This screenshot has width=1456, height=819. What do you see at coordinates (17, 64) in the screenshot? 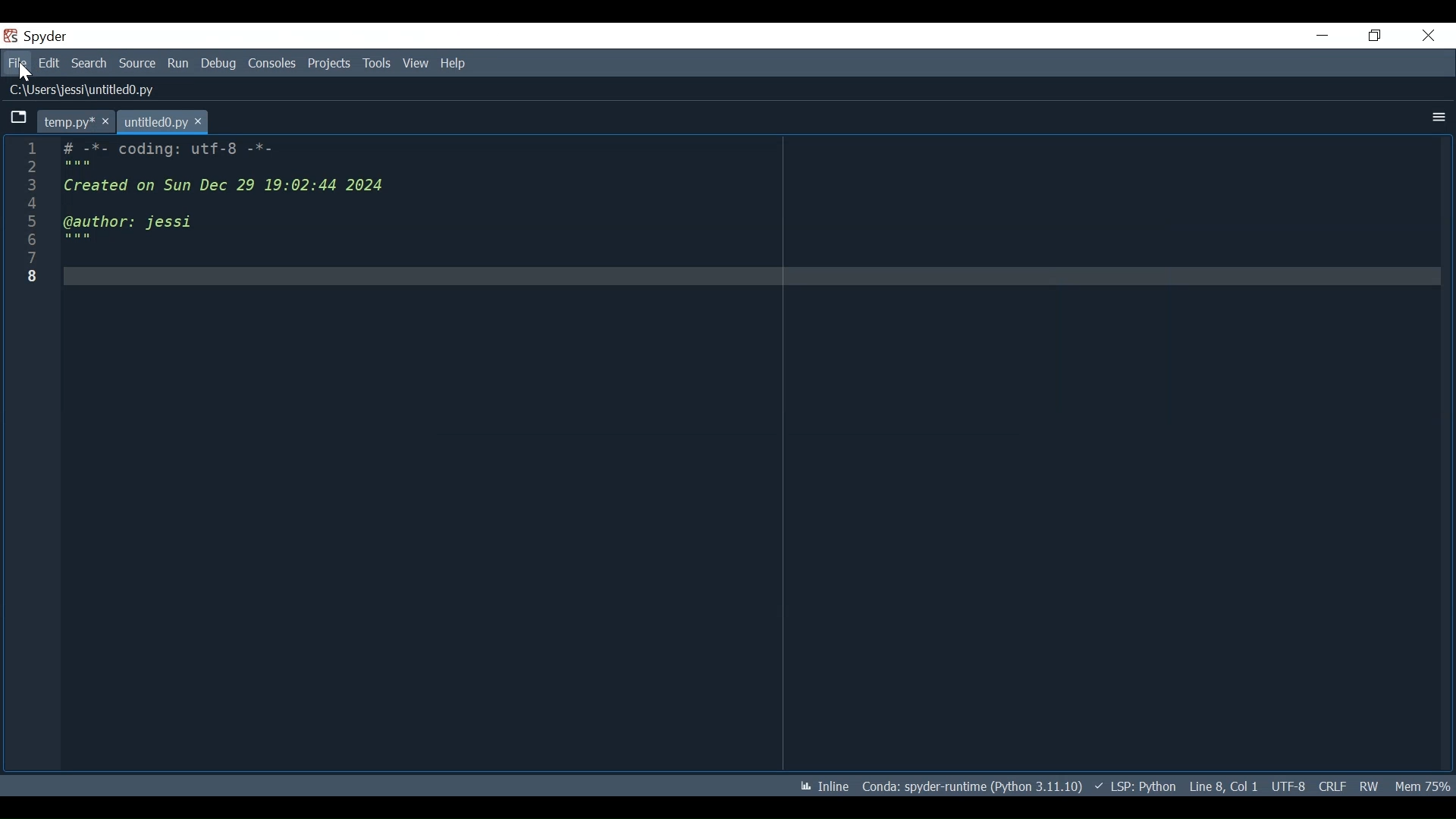
I see `File` at bounding box center [17, 64].